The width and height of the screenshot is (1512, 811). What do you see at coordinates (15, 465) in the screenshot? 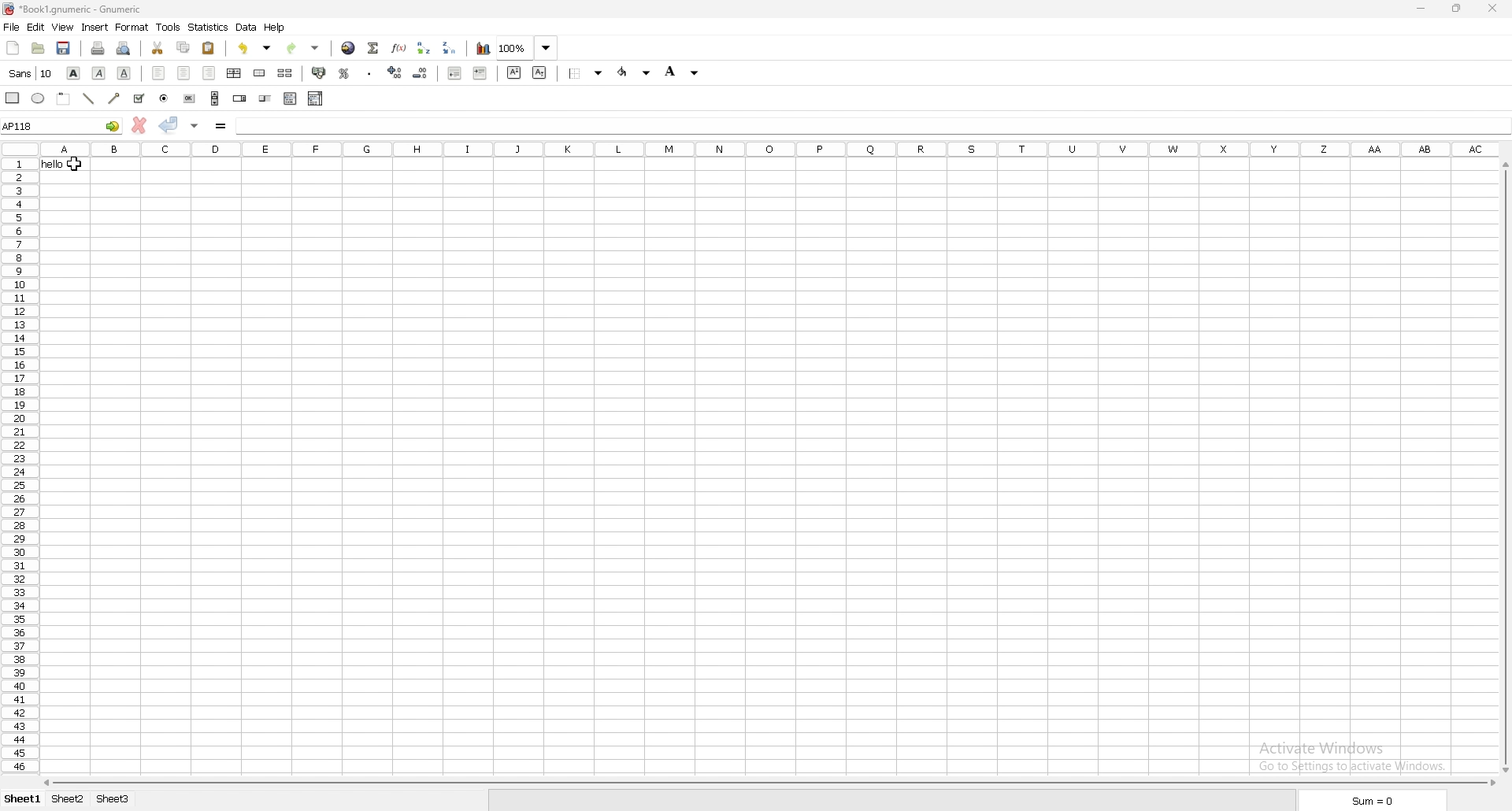
I see `rows` at bounding box center [15, 465].